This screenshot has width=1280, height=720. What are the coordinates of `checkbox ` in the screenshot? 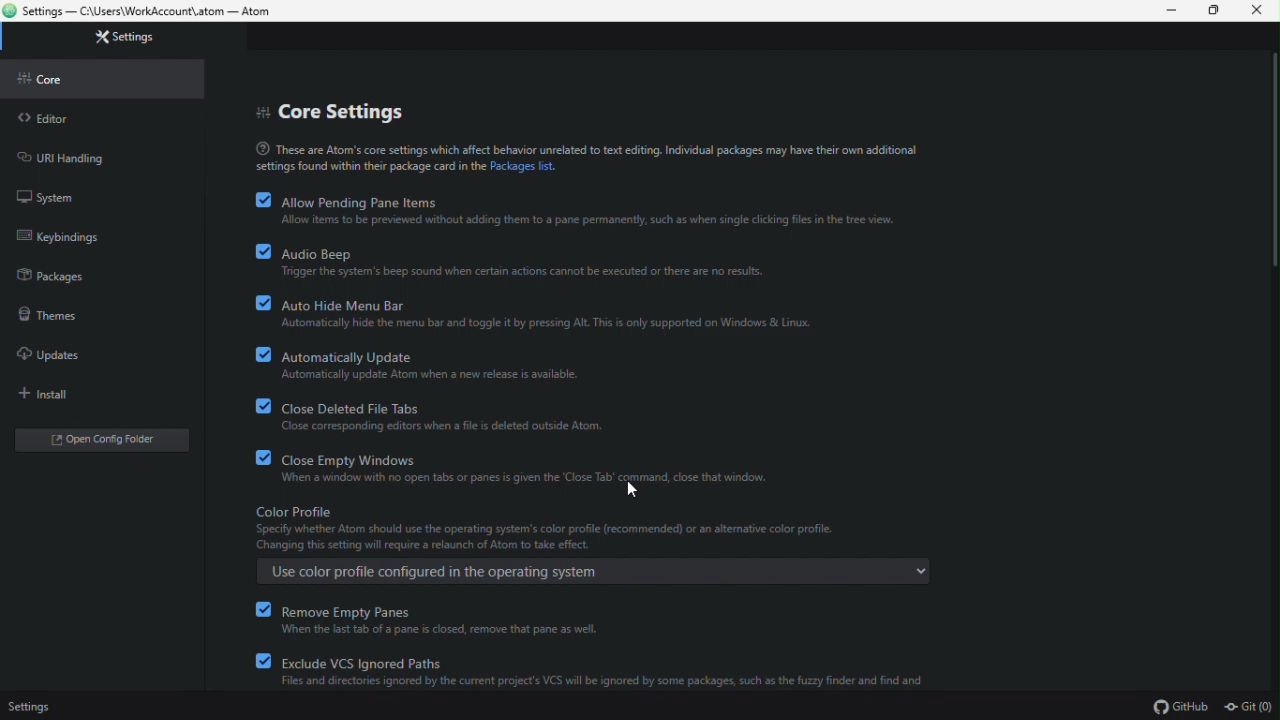 It's located at (263, 406).